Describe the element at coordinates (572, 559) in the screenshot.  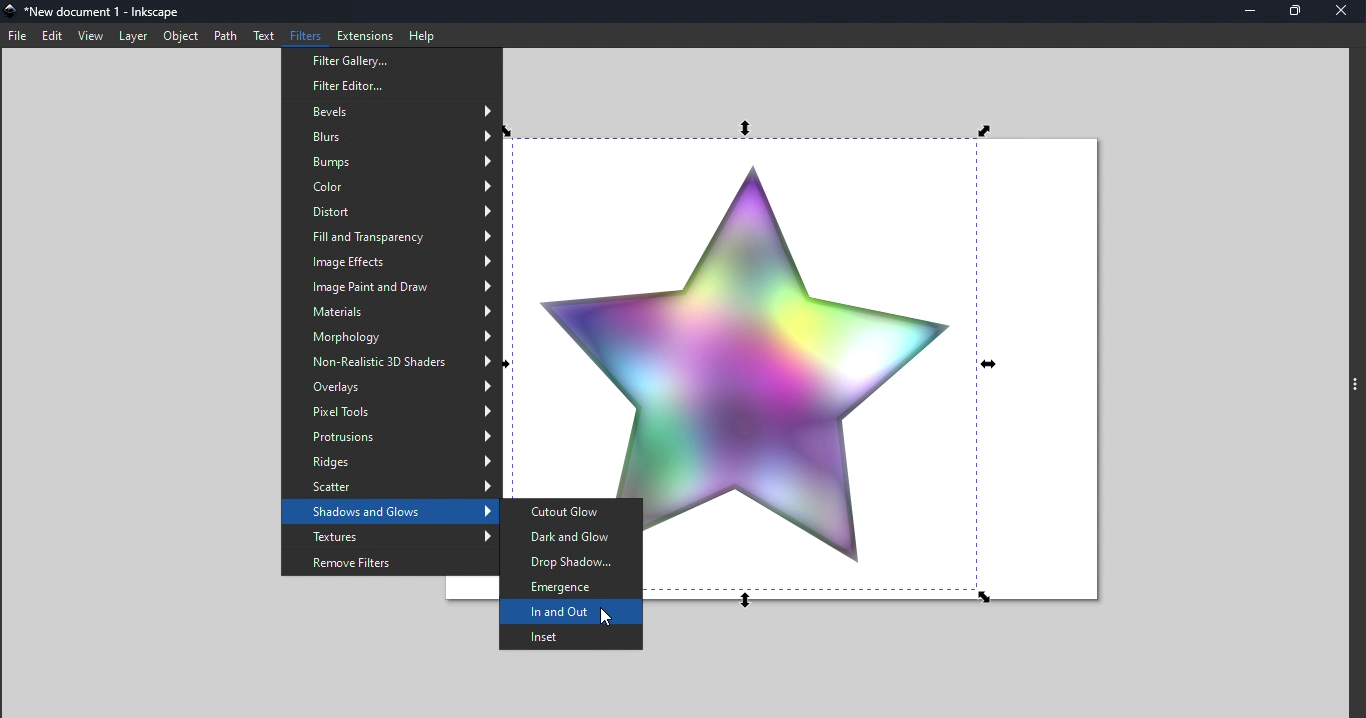
I see `Drop Shadow` at that location.